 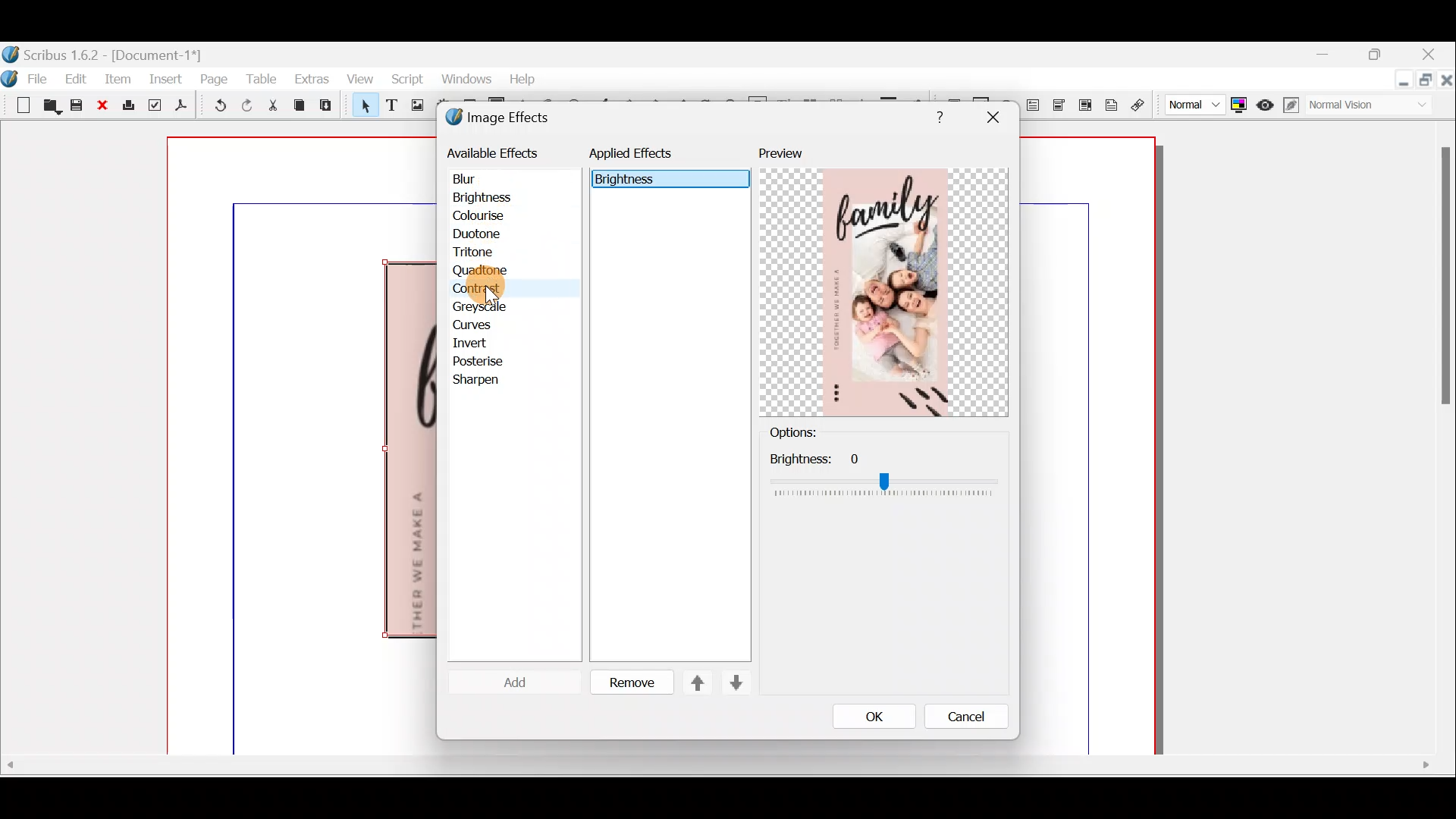 I want to click on Cancel, so click(x=956, y=720).